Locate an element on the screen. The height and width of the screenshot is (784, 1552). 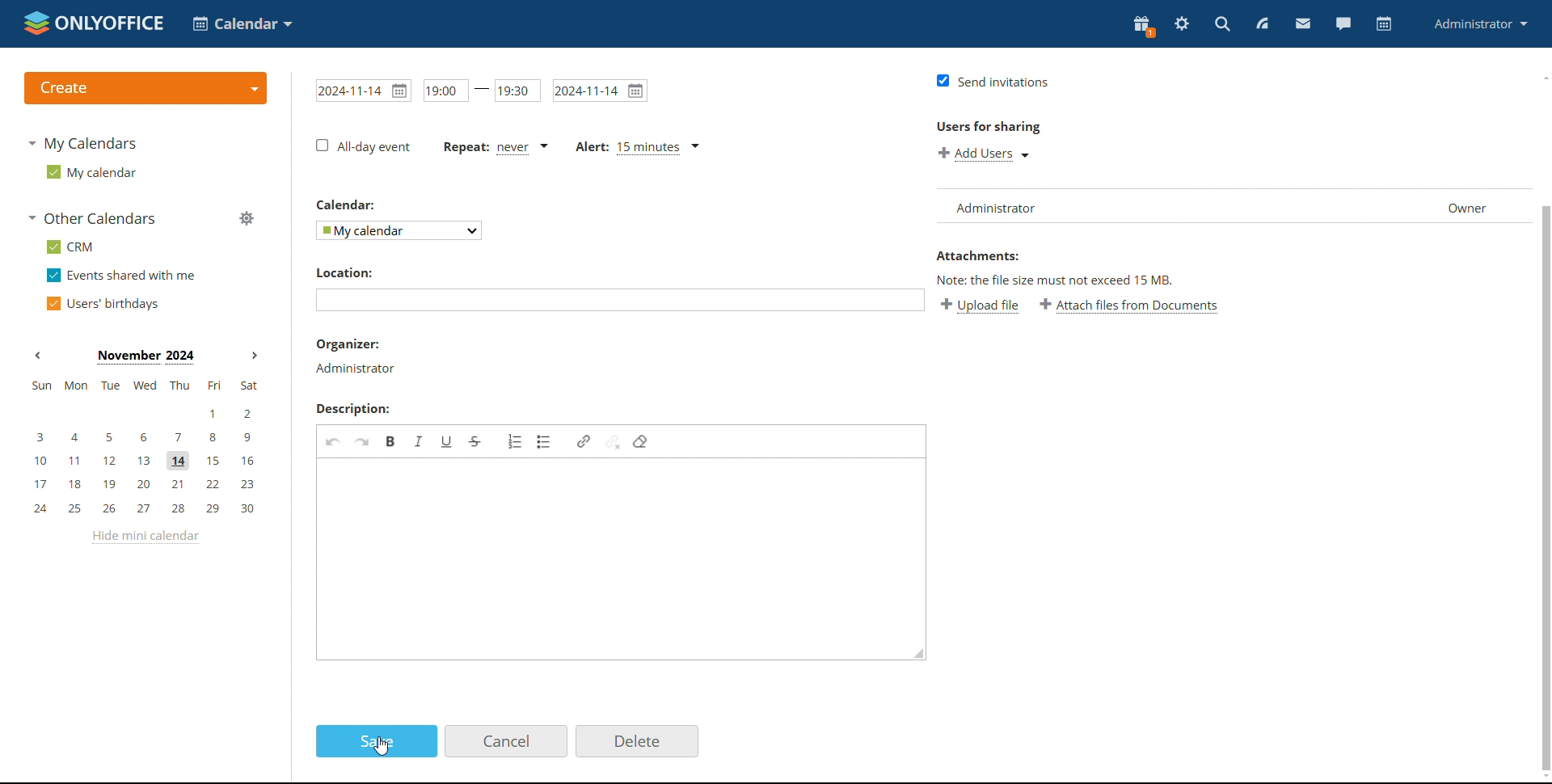
edit description is located at coordinates (630, 563).